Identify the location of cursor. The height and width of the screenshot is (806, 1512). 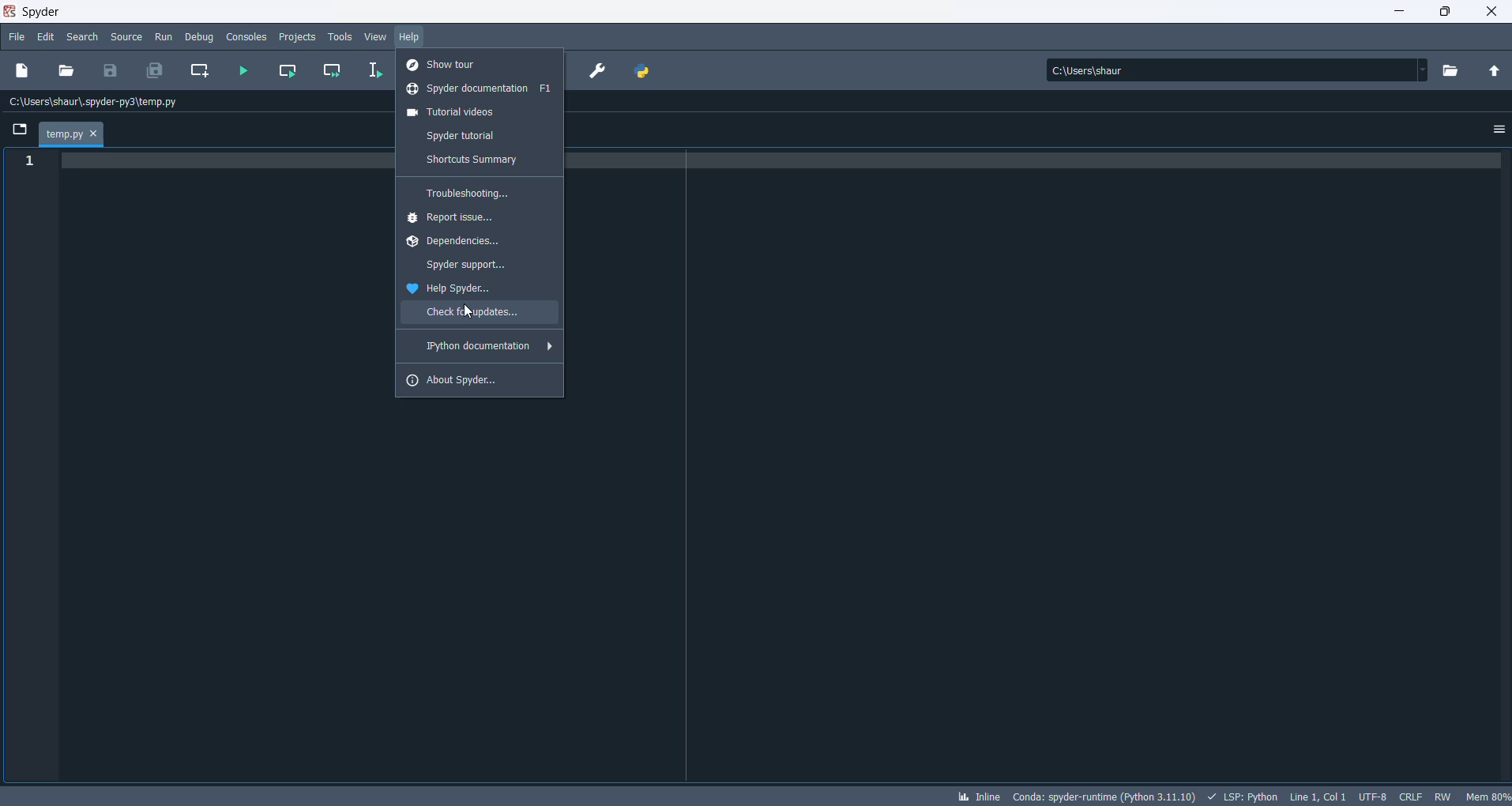
(471, 311).